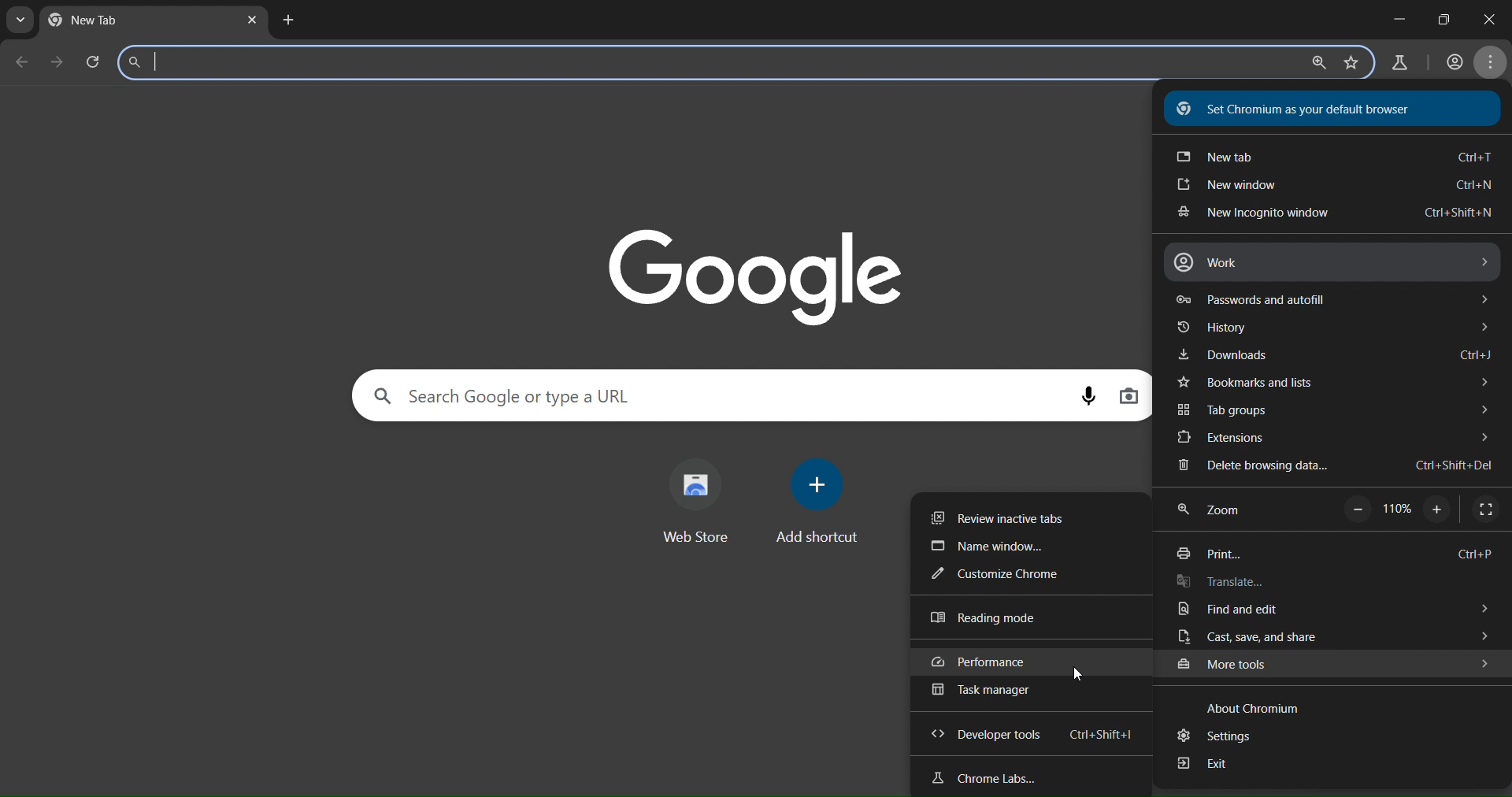 Image resolution: width=1512 pixels, height=797 pixels. Describe the element at coordinates (696, 500) in the screenshot. I see `web store` at that location.